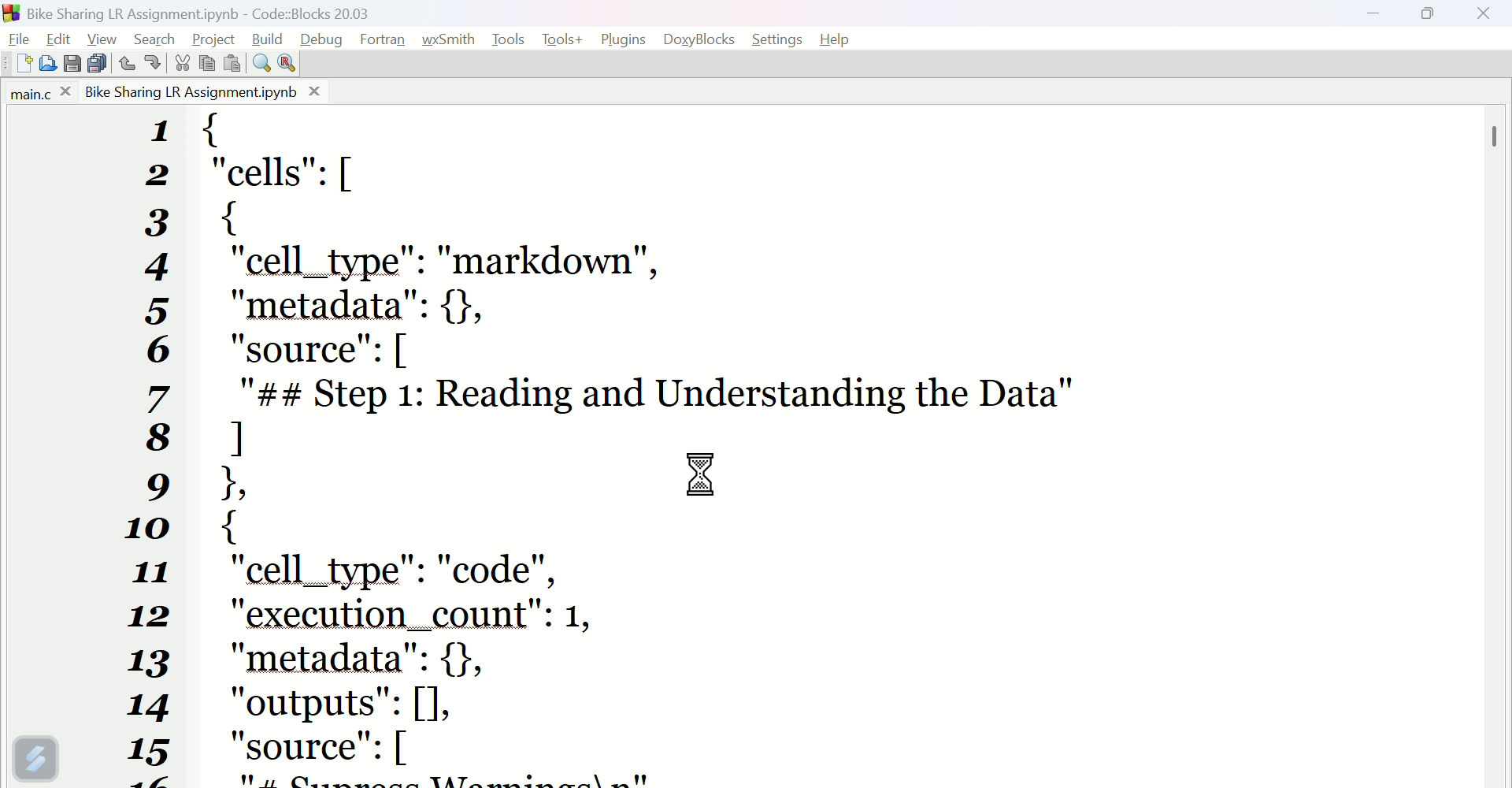  What do you see at coordinates (207, 64) in the screenshot?
I see `Copy` at bounding box center [207, 64].